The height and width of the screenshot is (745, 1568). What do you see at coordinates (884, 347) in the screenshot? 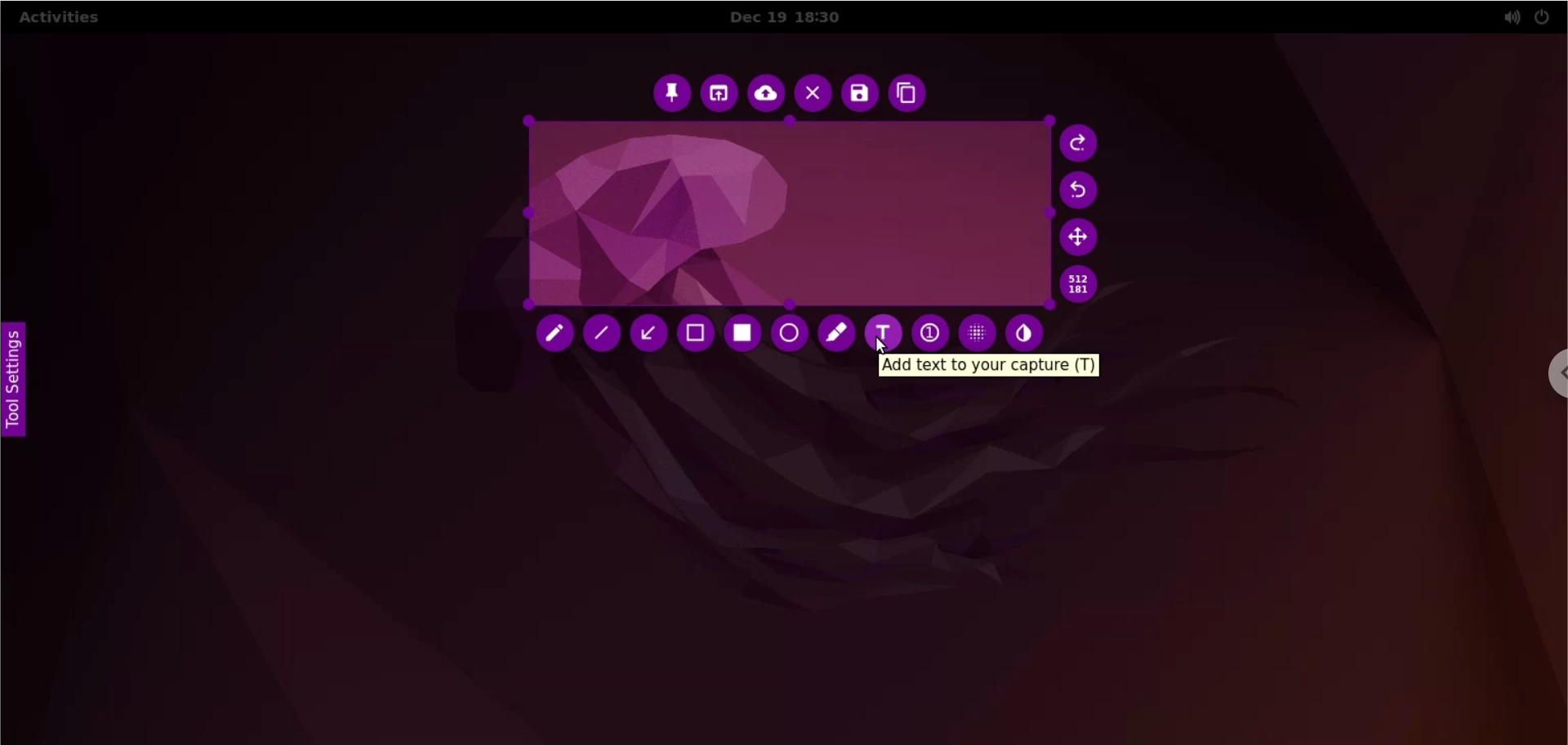
I see `cursor` at bounding box center [884, 347].